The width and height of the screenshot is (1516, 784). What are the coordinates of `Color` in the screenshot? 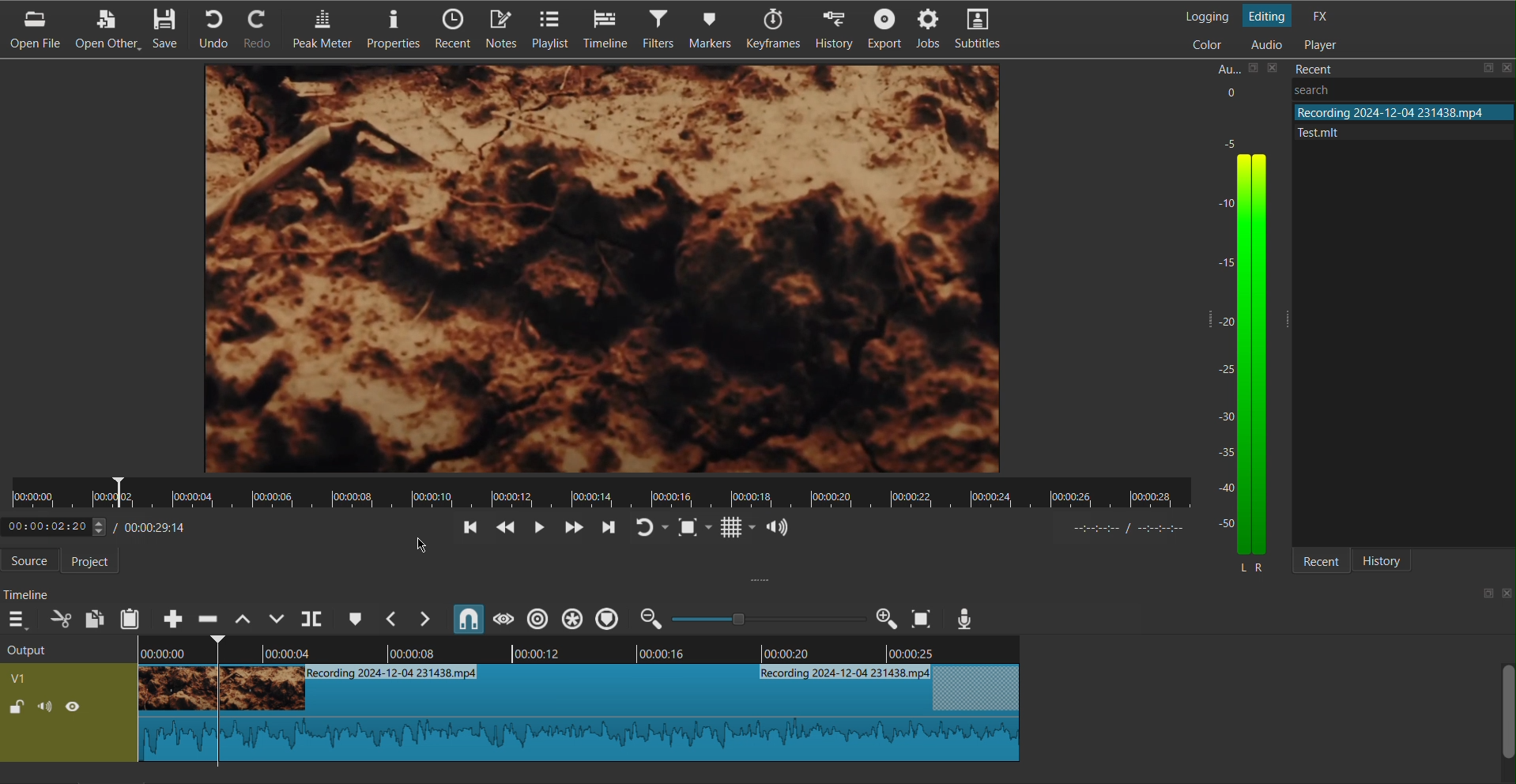 It's located at (1205, 43).